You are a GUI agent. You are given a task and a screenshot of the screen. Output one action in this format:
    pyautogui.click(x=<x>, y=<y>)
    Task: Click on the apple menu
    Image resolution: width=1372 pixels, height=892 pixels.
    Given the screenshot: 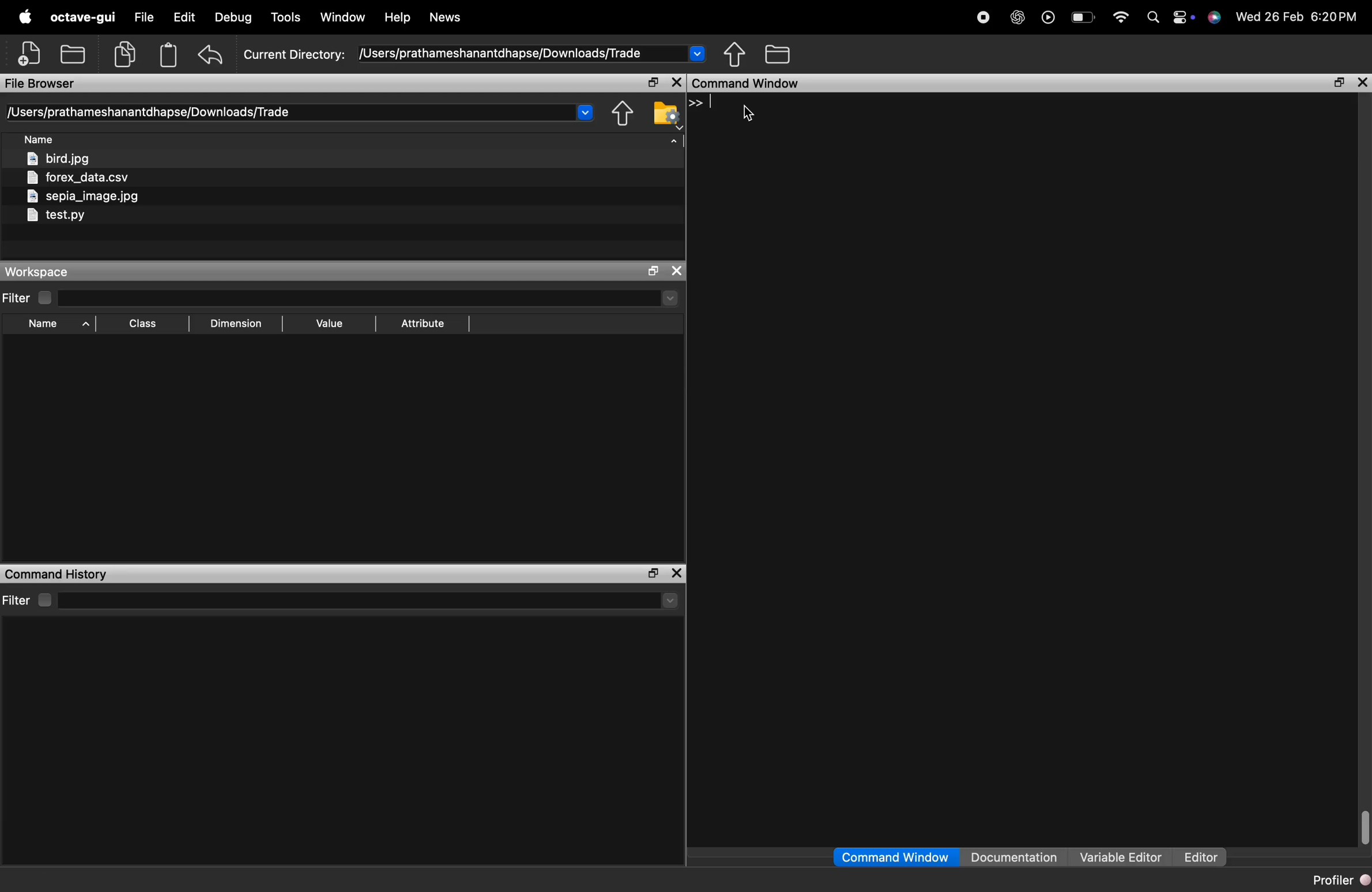 What is the action you would take?
    pyautogui.click(x=24, y=16)
    